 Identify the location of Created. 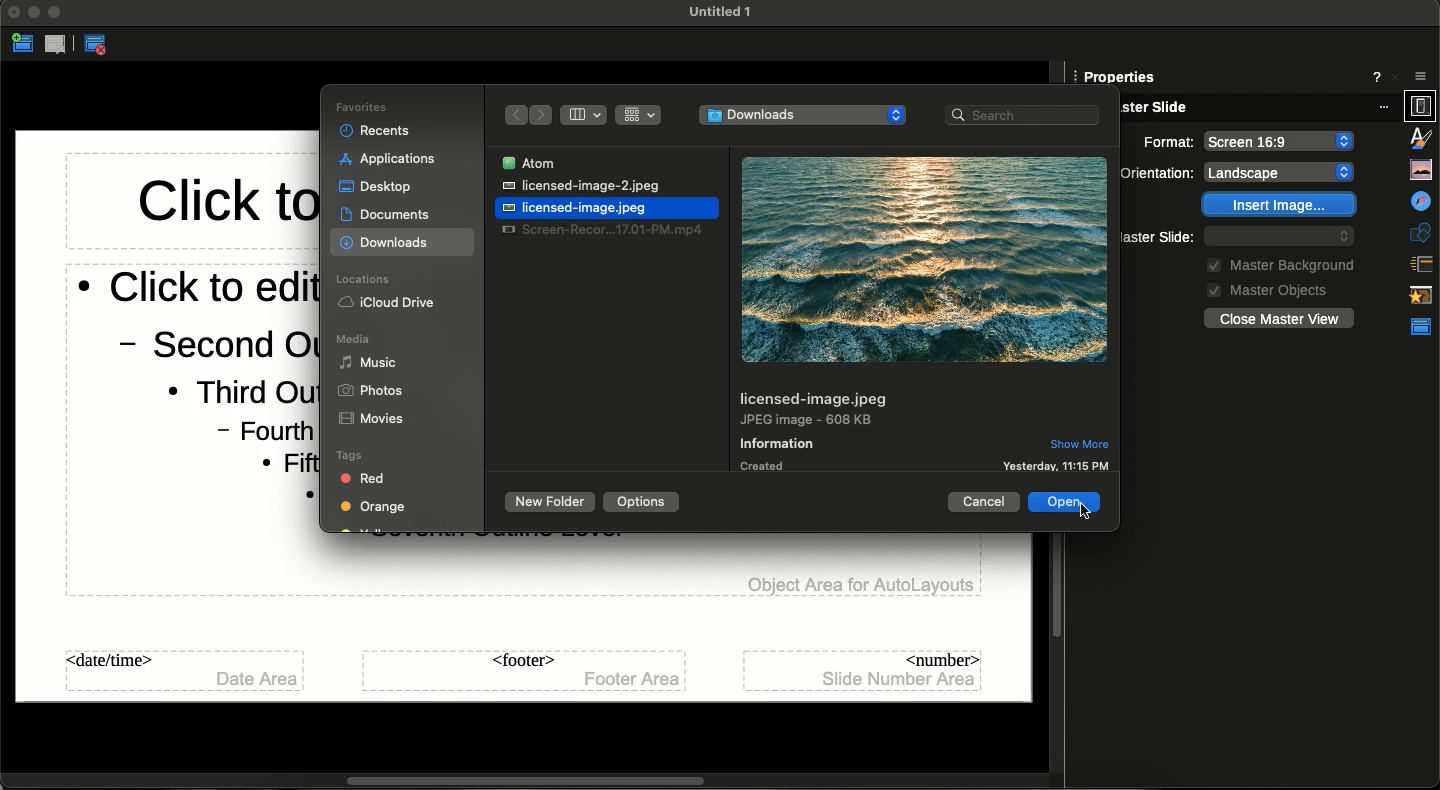
(924, 465).